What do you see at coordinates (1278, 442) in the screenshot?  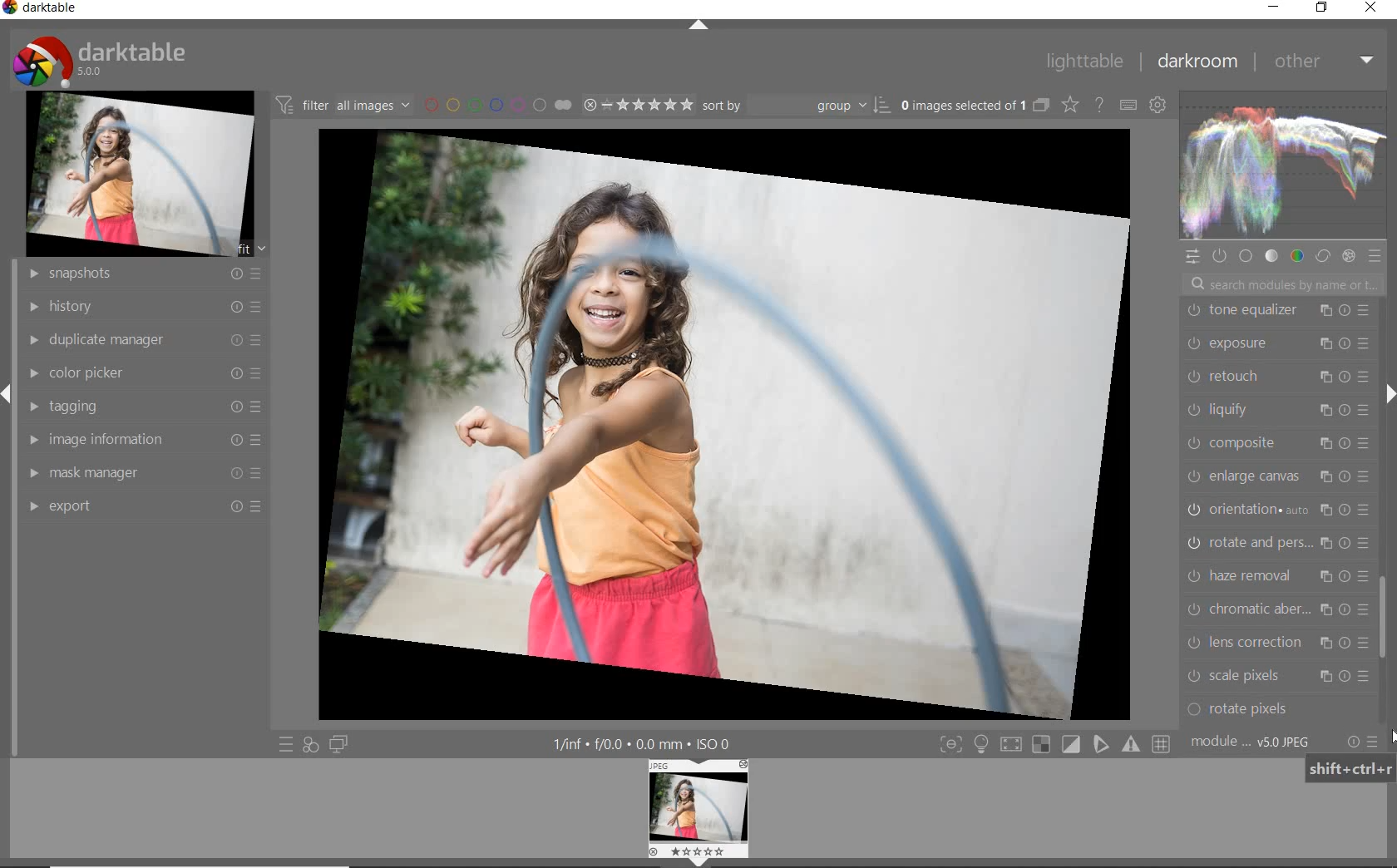 I see `composite` at bounding box center [1278, 442].